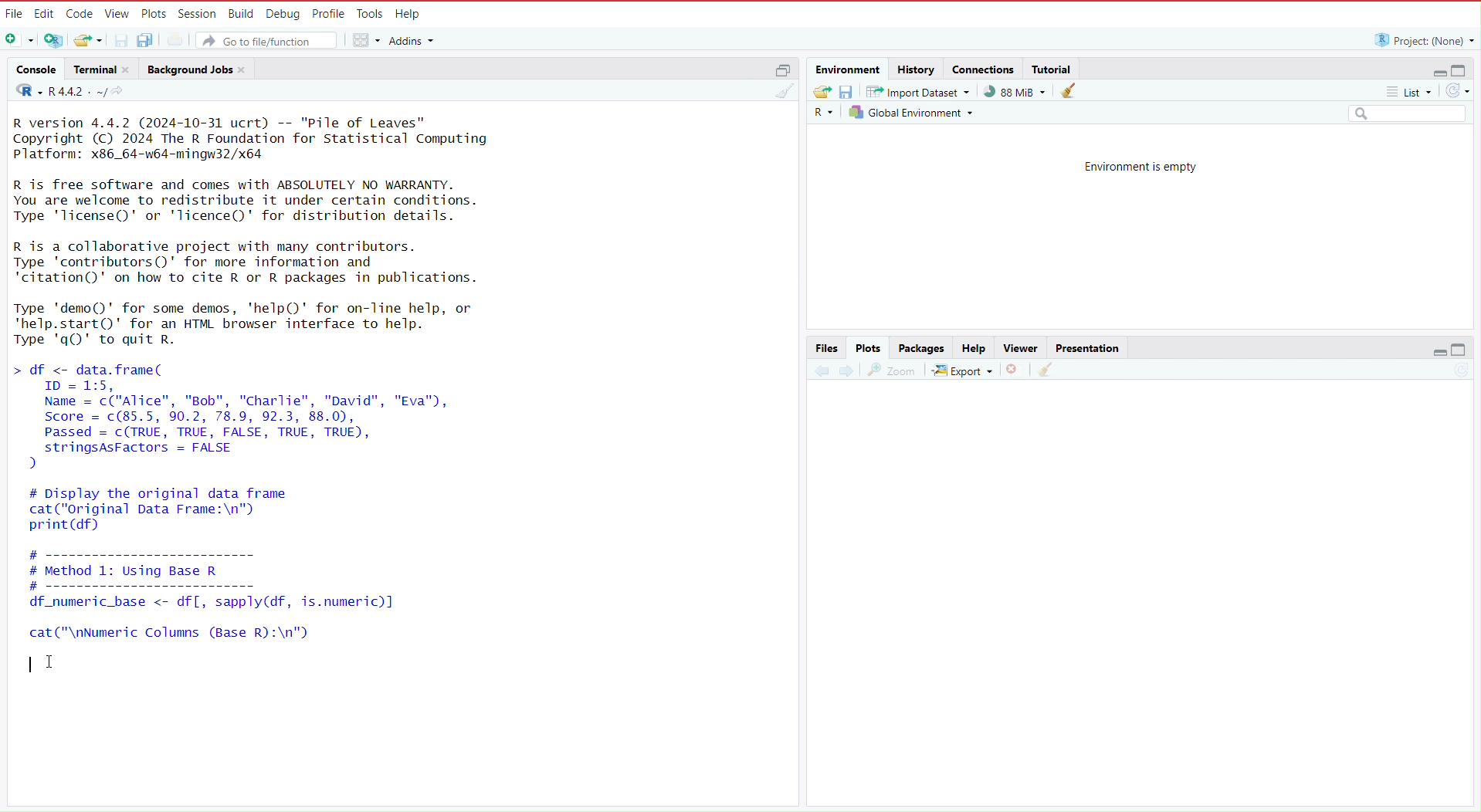  I want to click on close, so click(247, 69).